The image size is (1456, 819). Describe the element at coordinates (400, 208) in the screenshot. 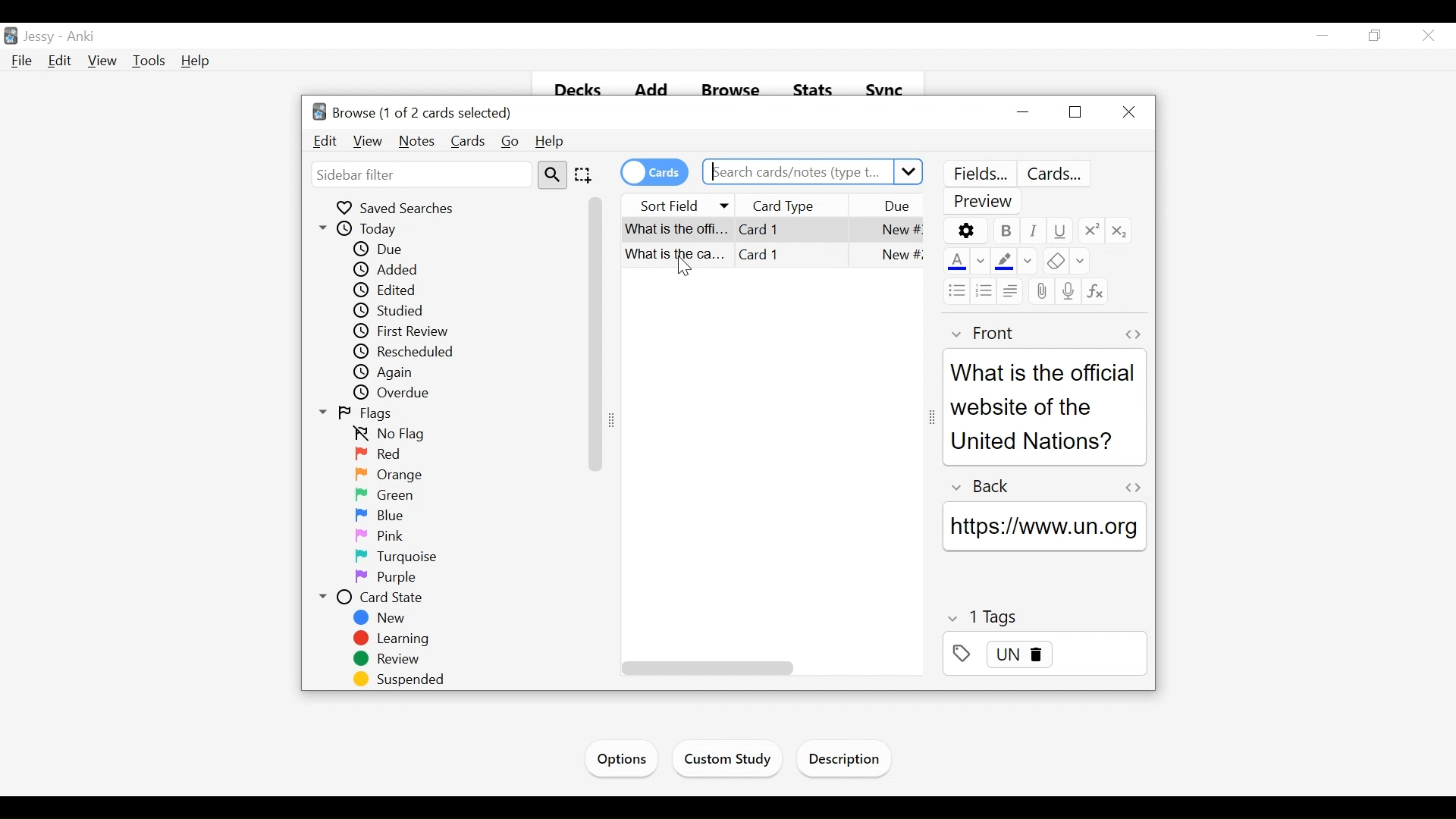

I see `Saved Searches` at that location.